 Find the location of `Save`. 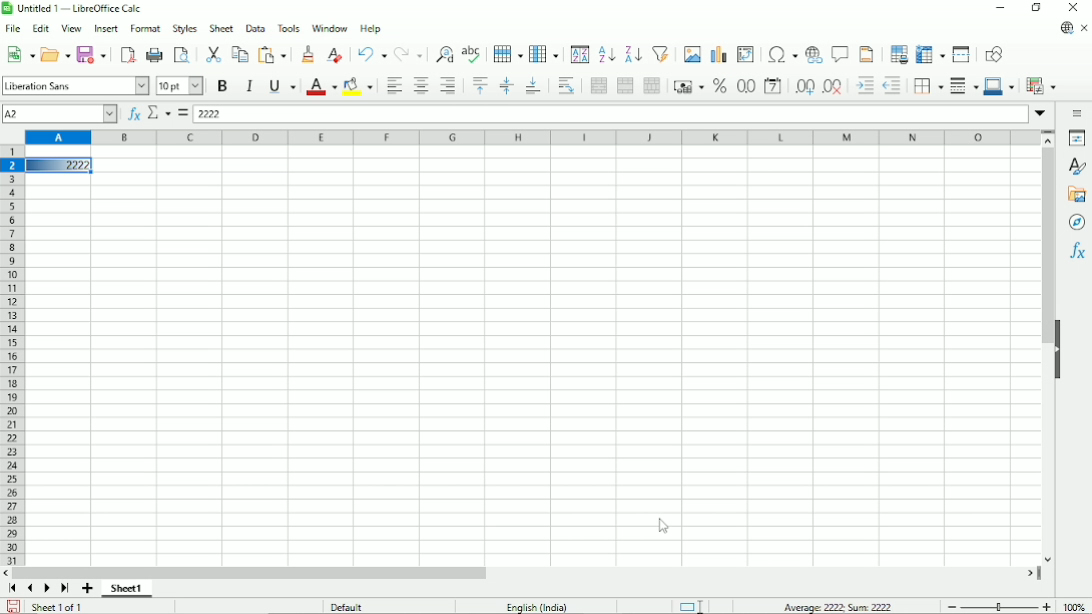

Save is located at coordinates (14, 605).